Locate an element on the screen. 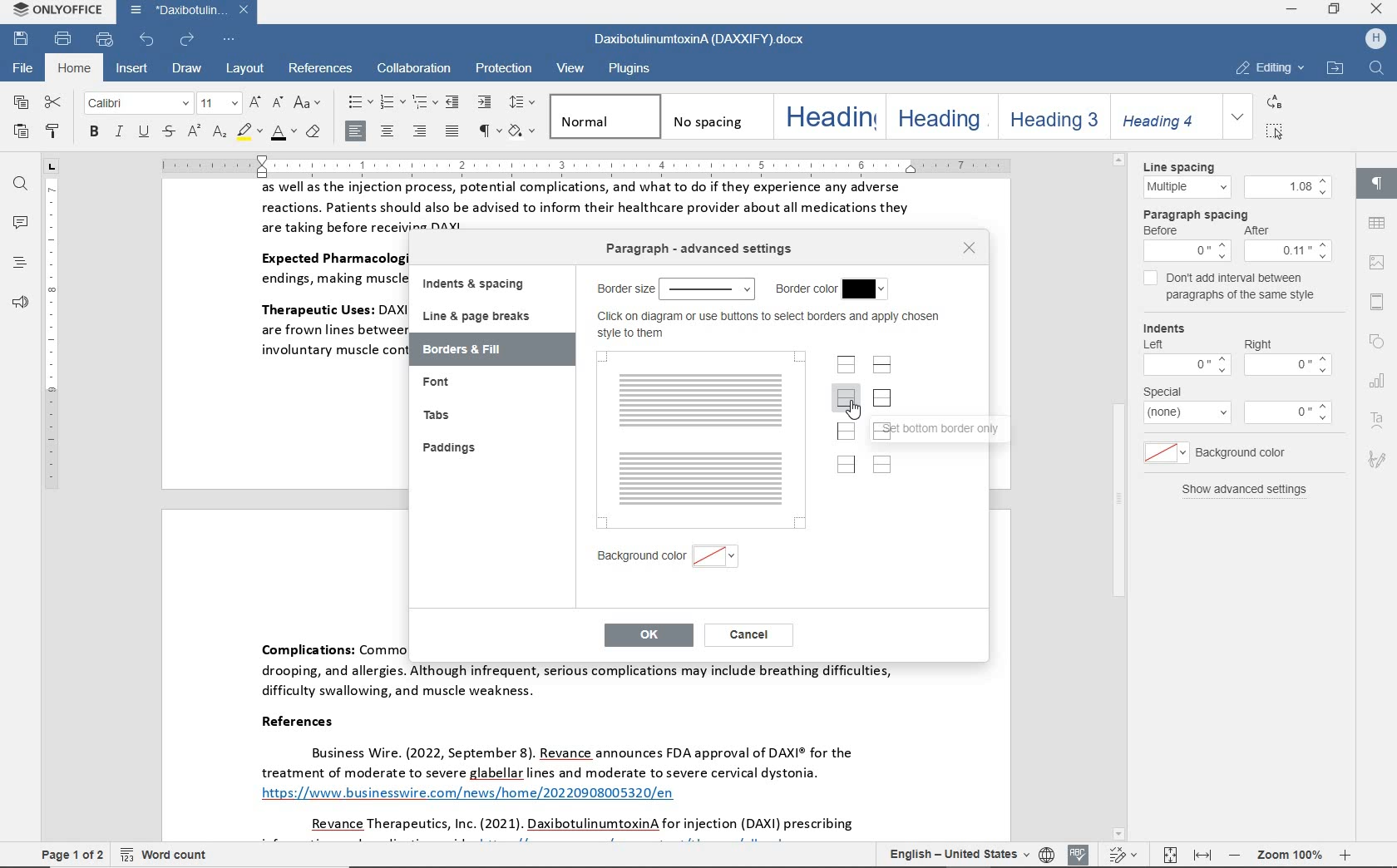  bullets is located at coordinates (358, 103).